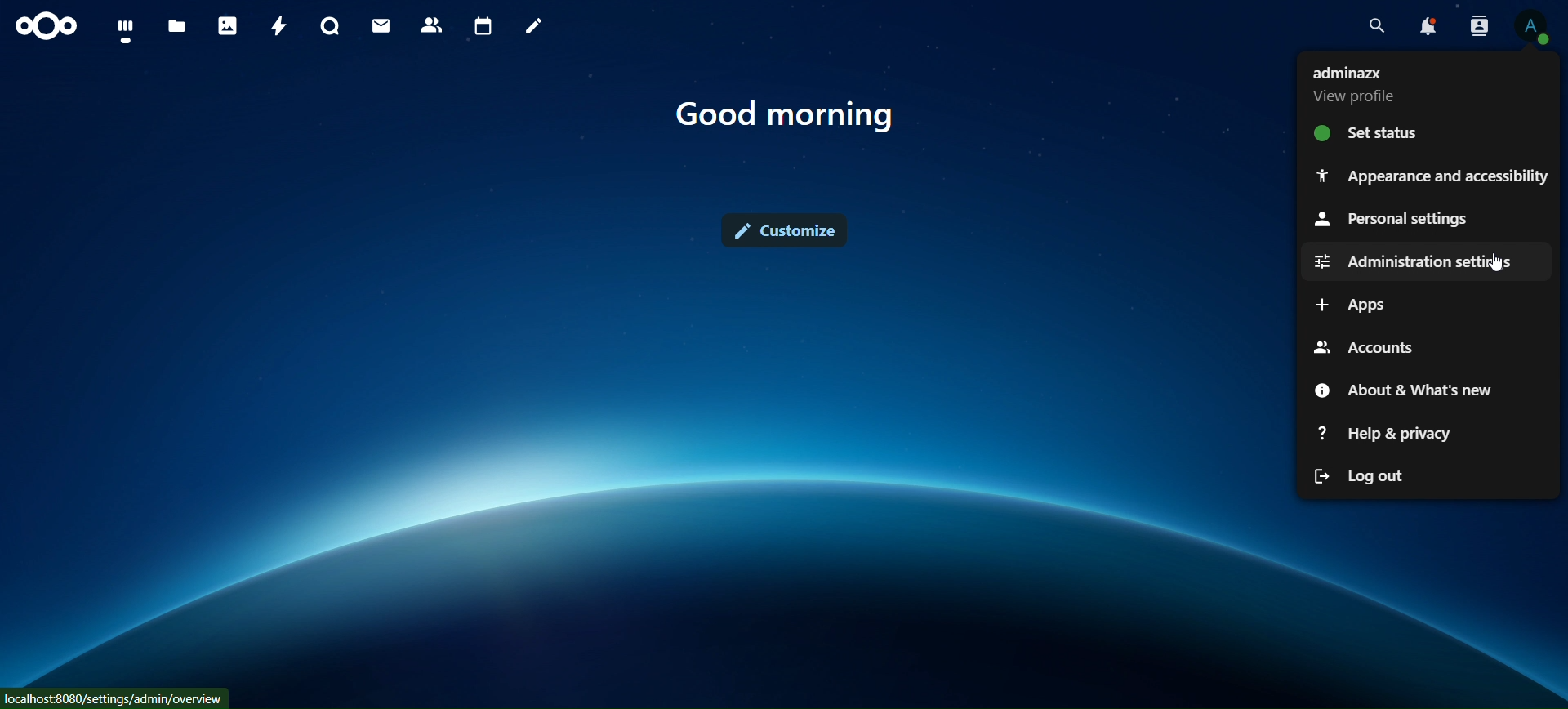  Describe the element at coordinates (1357, 84) in the screenshot. I see `view profile` at that location.